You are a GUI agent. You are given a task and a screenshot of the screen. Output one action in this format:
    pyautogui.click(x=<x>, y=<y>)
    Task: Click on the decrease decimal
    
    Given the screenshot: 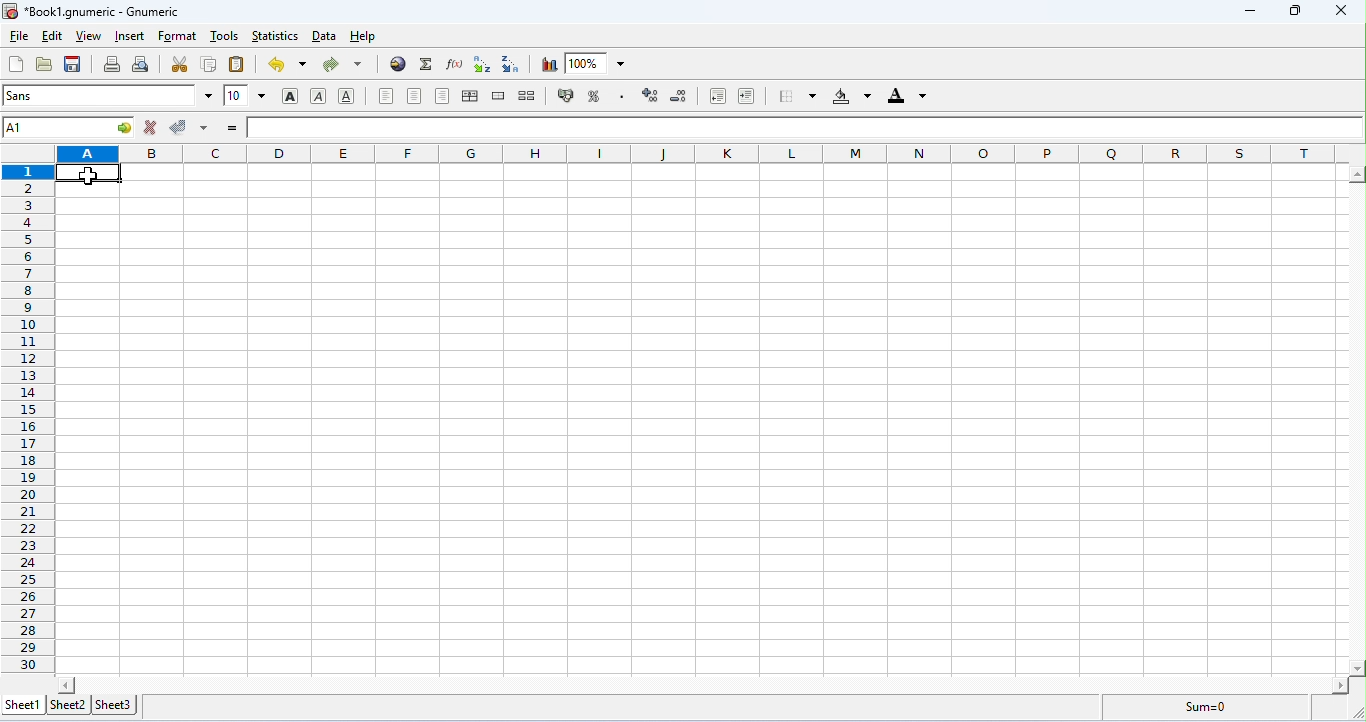 What is the action you would take?
    pyautogui.click(x=745, y=96)
    